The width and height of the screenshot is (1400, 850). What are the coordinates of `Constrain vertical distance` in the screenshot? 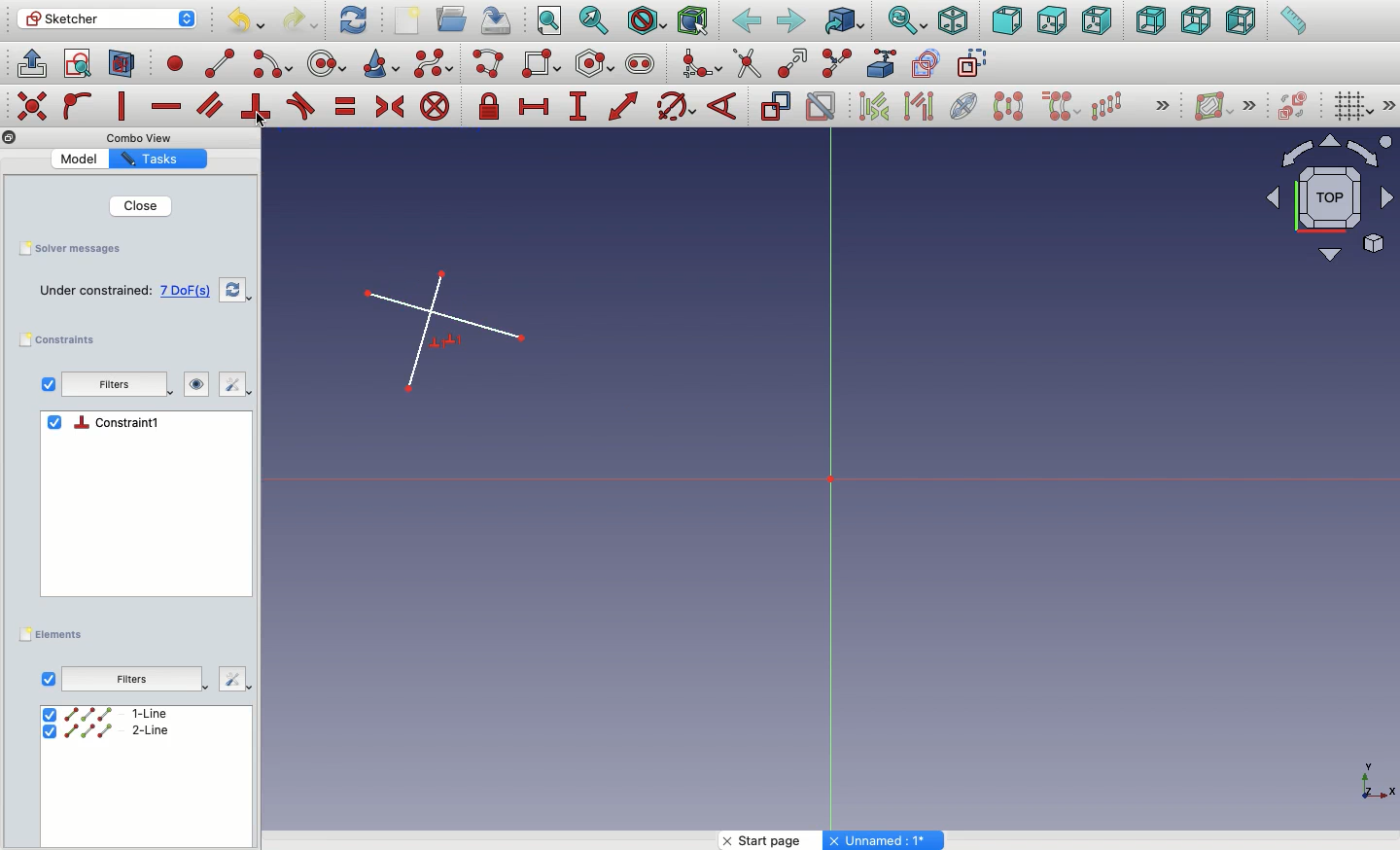 It's located at (581, 108).